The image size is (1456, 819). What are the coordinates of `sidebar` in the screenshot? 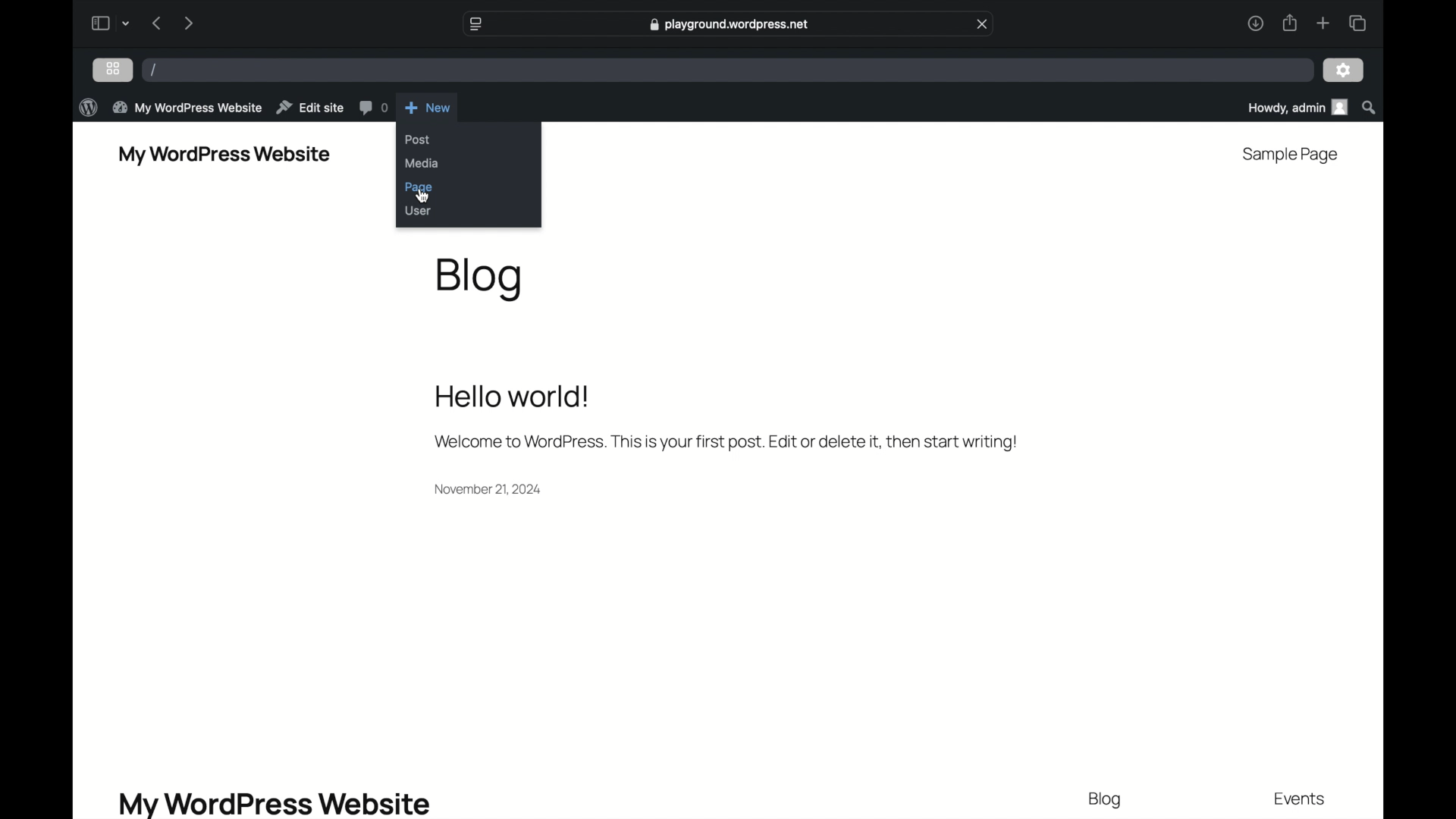 It's located at (99, 23).